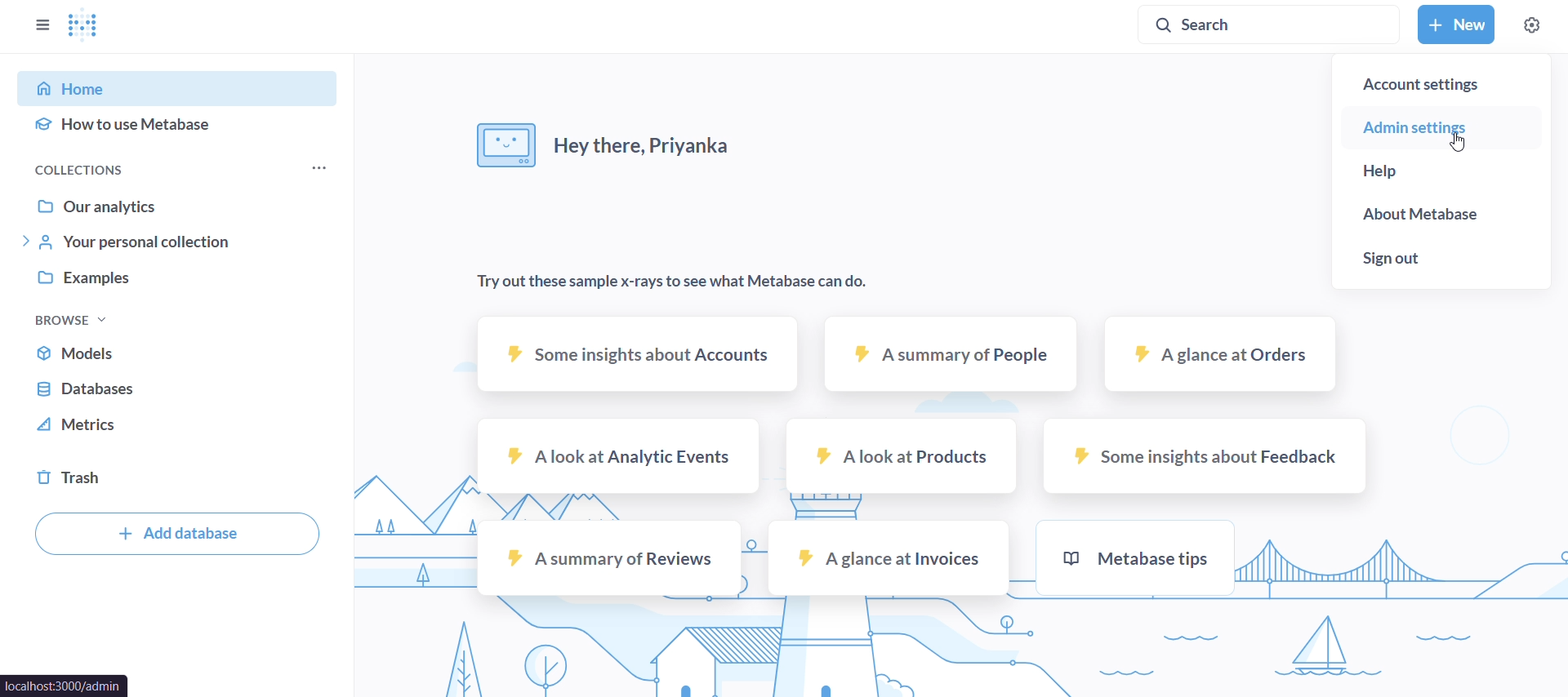  Describe the element at coordinates (1217, 357) in the screenshot. I see `a glance at orders` at that location.